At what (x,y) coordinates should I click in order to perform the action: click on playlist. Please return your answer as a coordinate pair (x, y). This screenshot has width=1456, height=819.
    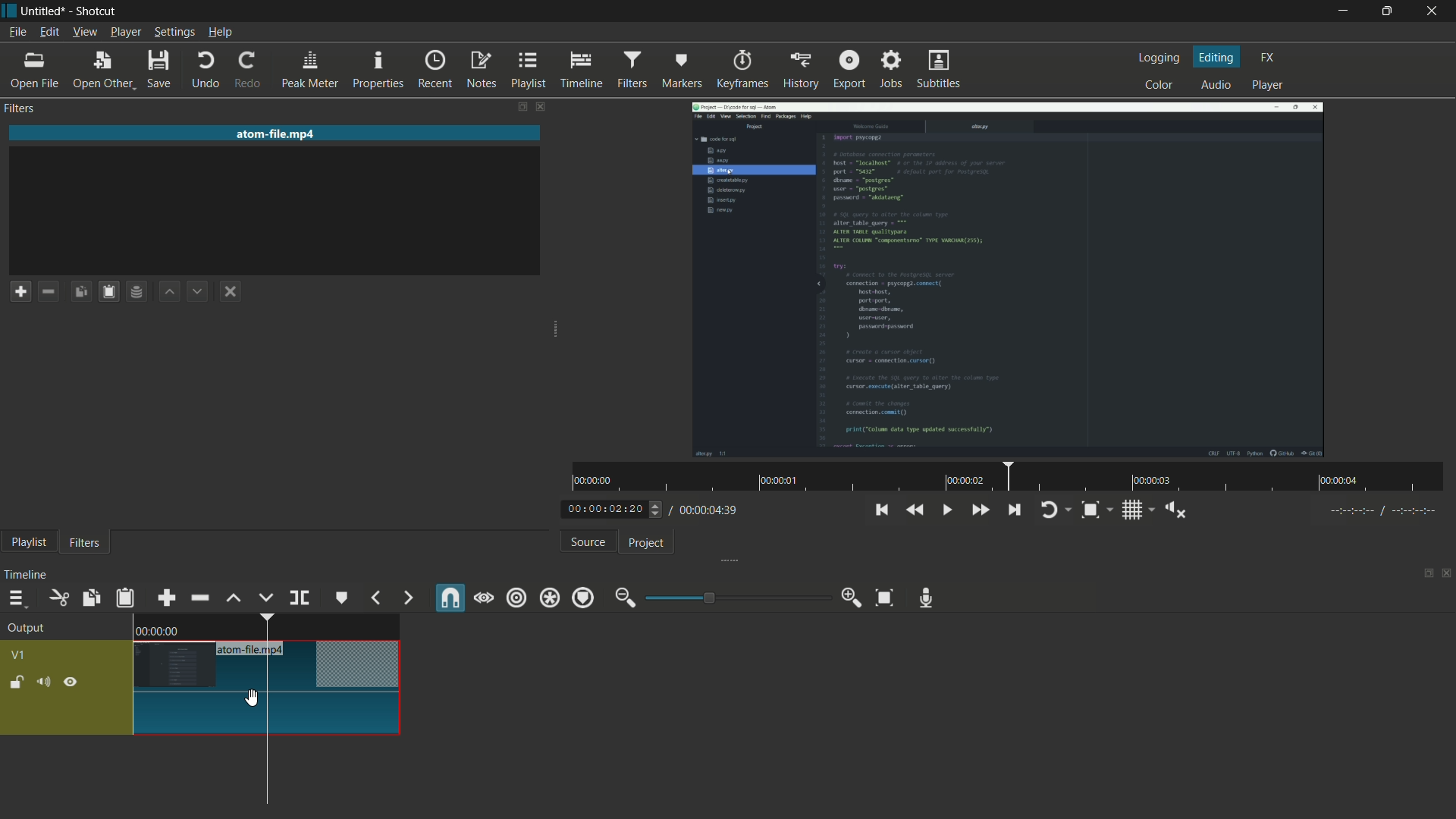
    Looking at the image, I should click on (527, 71).